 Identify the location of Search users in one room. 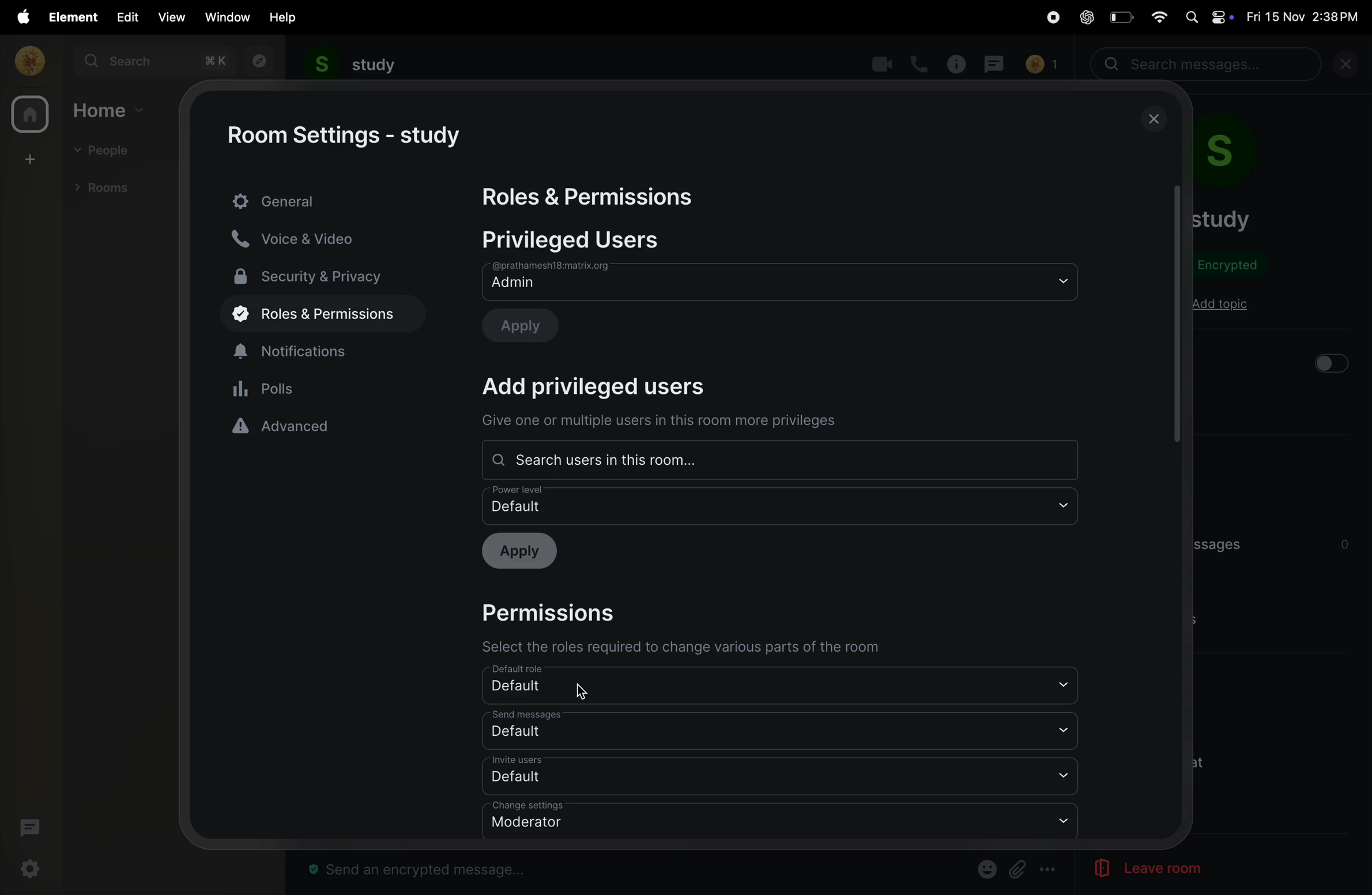
(777, 457).